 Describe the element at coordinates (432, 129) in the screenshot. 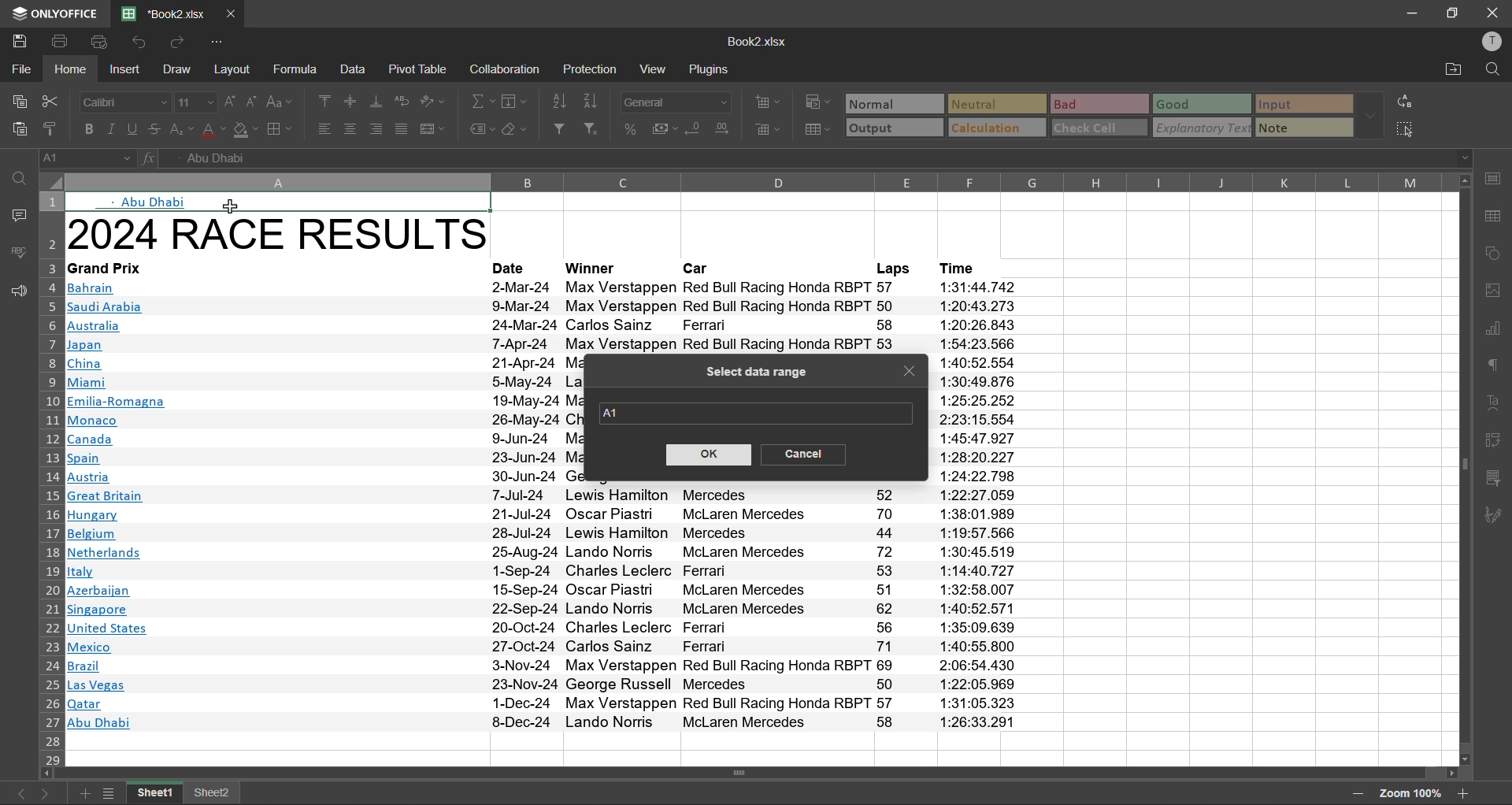

I see `merge and center` at that location.